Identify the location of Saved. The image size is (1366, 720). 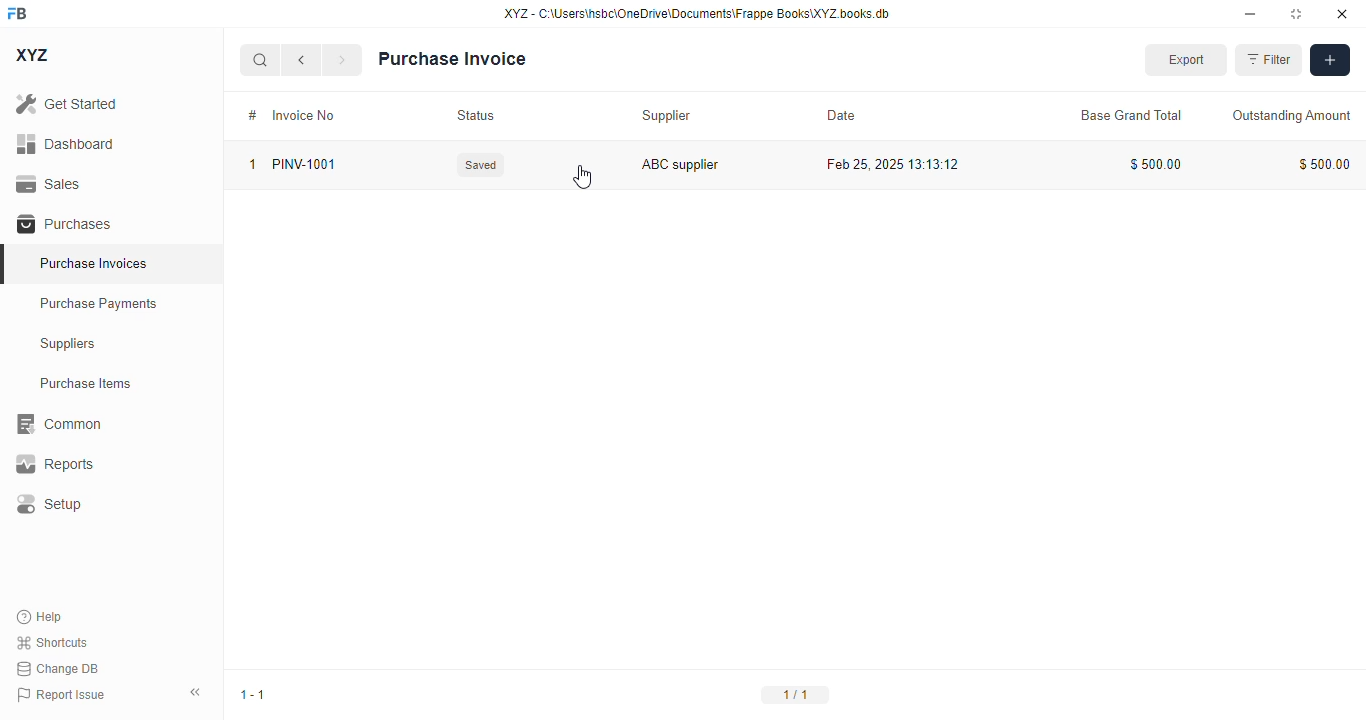
(480, 165).